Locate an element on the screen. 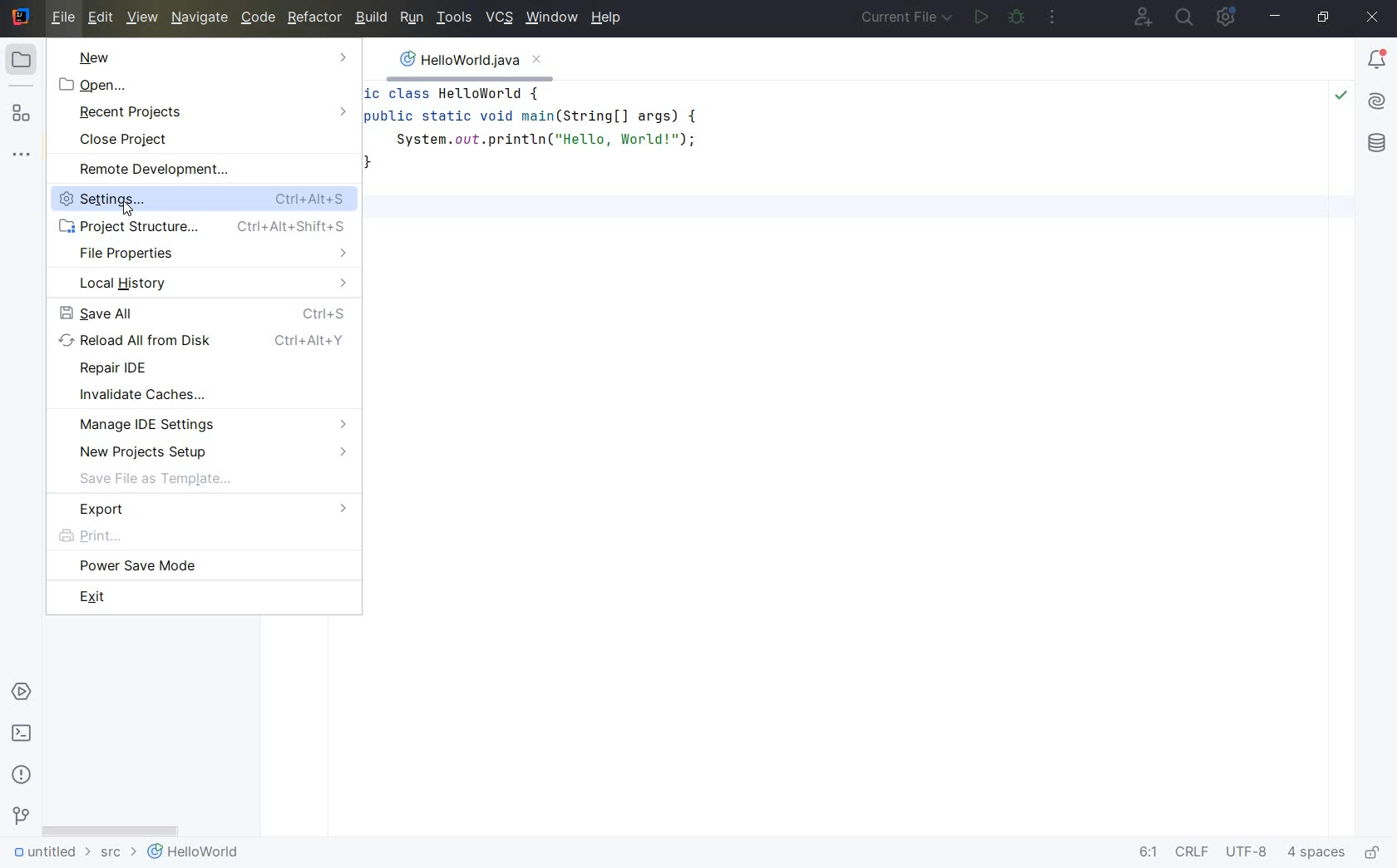 The height and width of the screenshot is (868, 1397). close is located at coordinates (1373, 18).